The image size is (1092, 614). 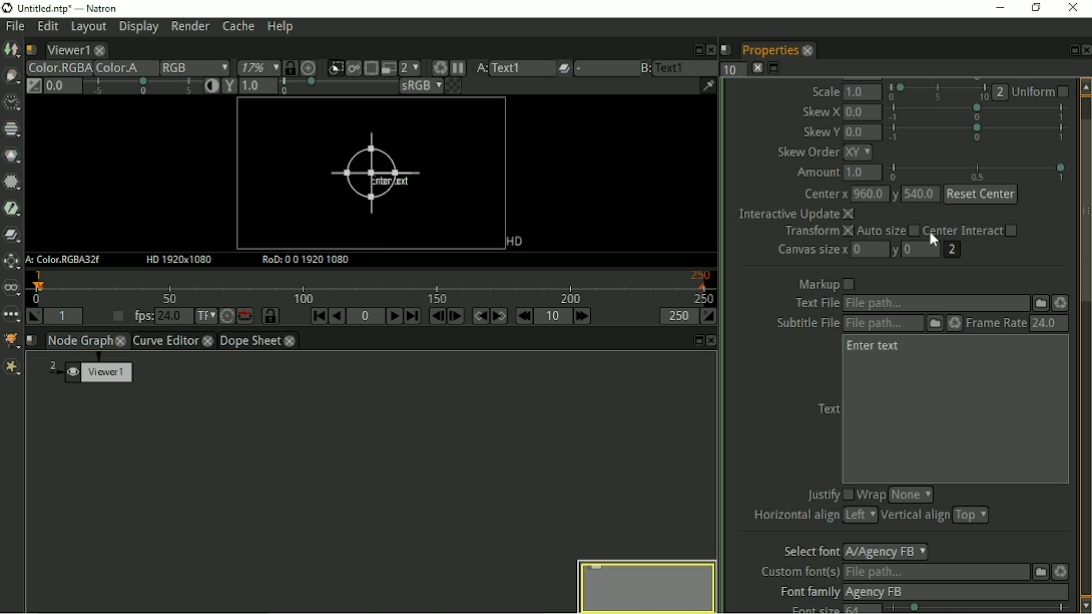 I want to click on Script name, so click(x=726, y=49).